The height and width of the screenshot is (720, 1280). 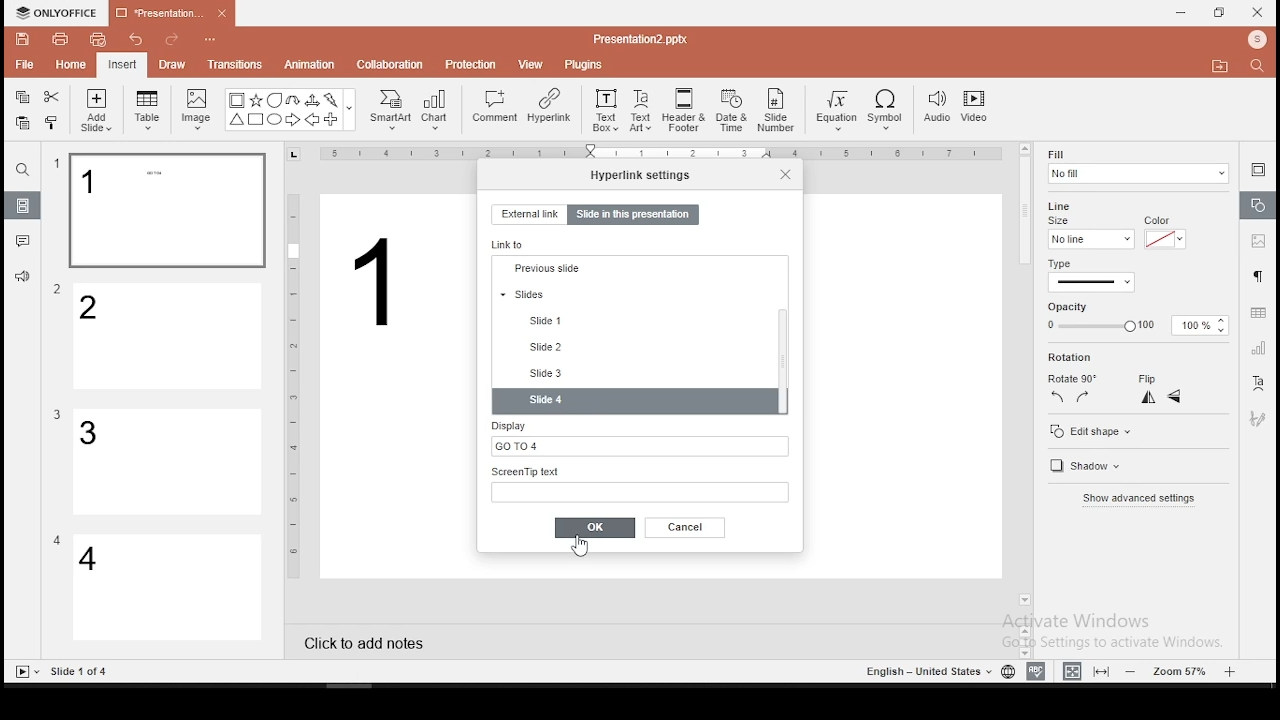 I want to click on save, so click(x=23, y=38).